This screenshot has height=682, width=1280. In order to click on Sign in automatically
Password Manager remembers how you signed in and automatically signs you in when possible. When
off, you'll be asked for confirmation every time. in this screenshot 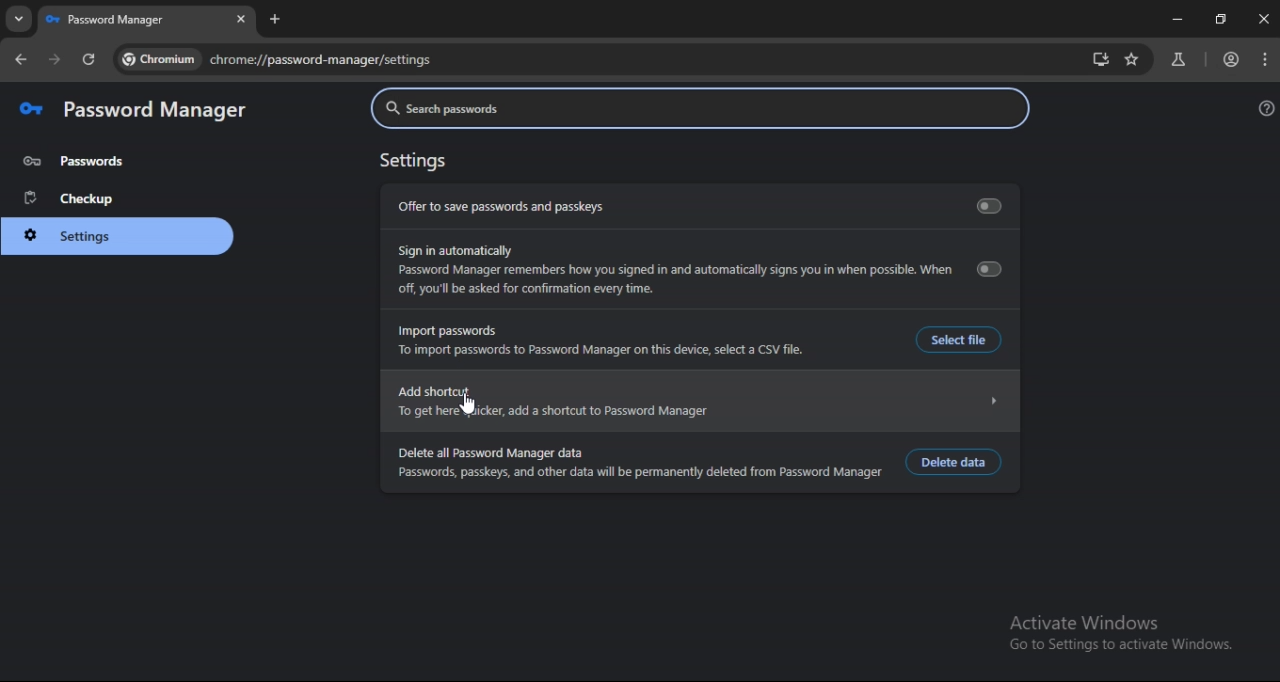, I will do `click(696, 271)`.